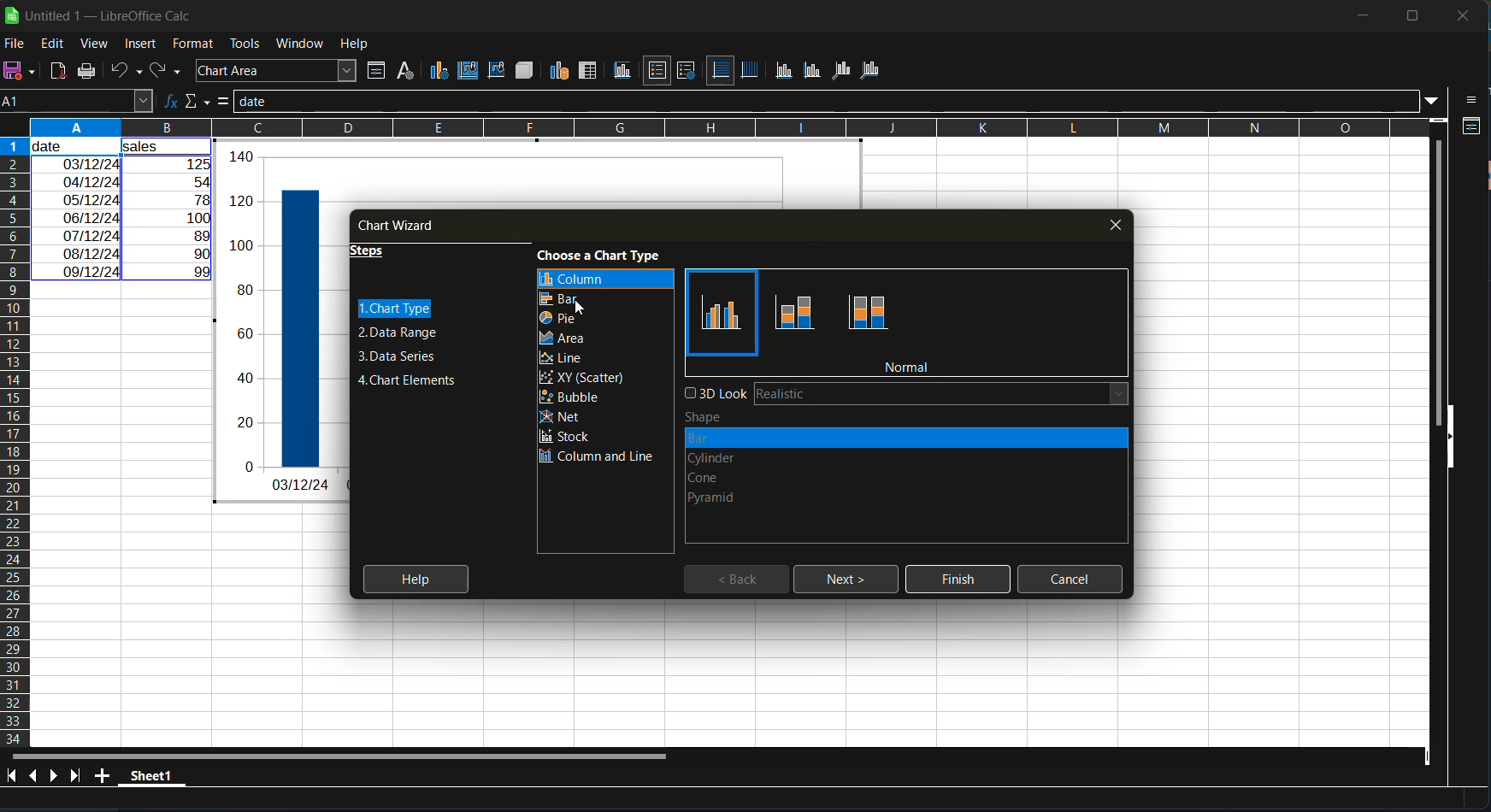  Describe the element at coordinates (127, 69) in the screenshot. I see `undo` at that location.